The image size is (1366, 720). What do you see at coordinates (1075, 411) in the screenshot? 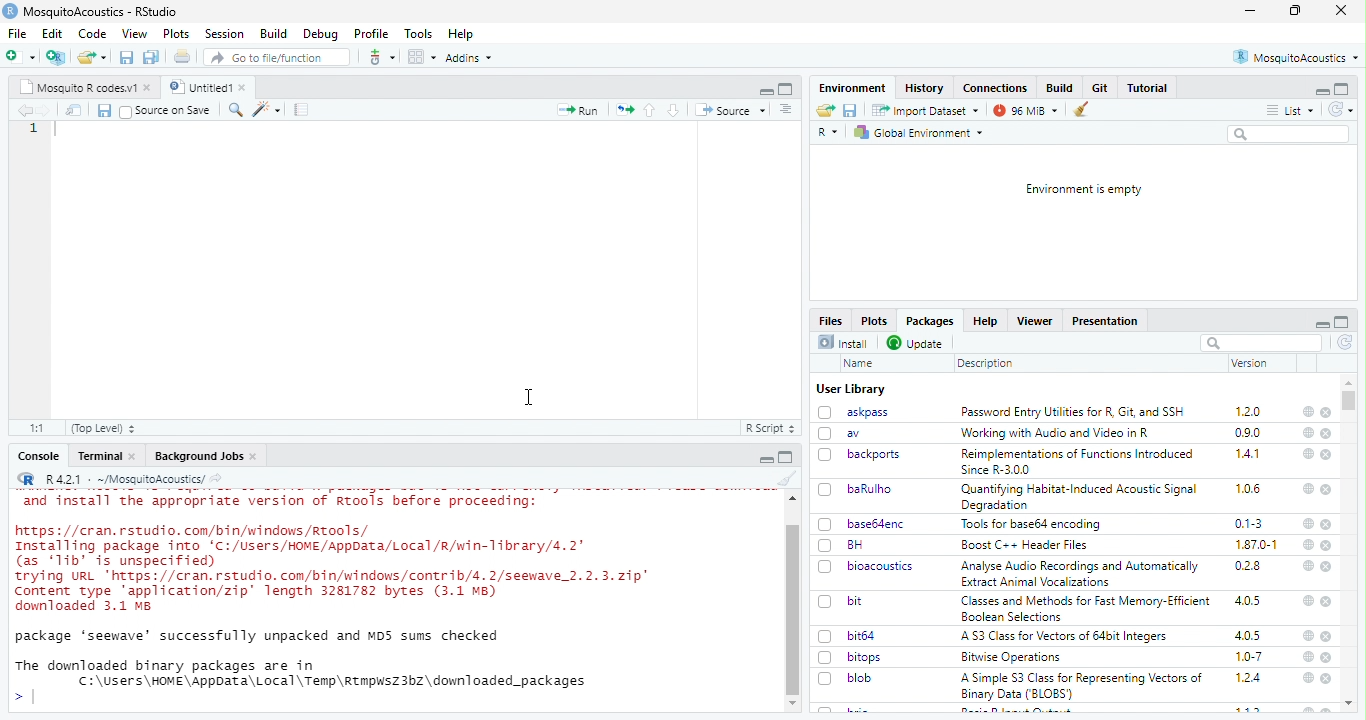
I see `Password Entry Utilities for R, Git, and SSH.` at bounding box center [1075, 411].